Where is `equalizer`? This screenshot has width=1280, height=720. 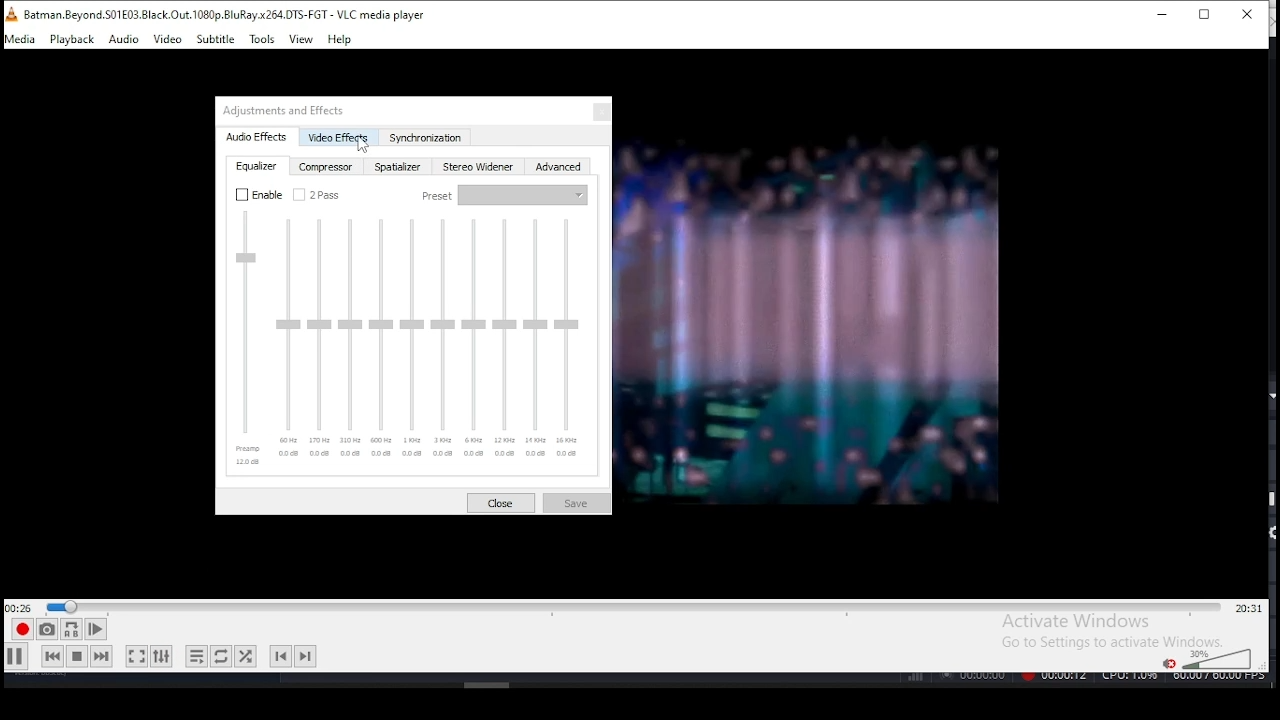
equalizer is located at coordinates (257, 166).